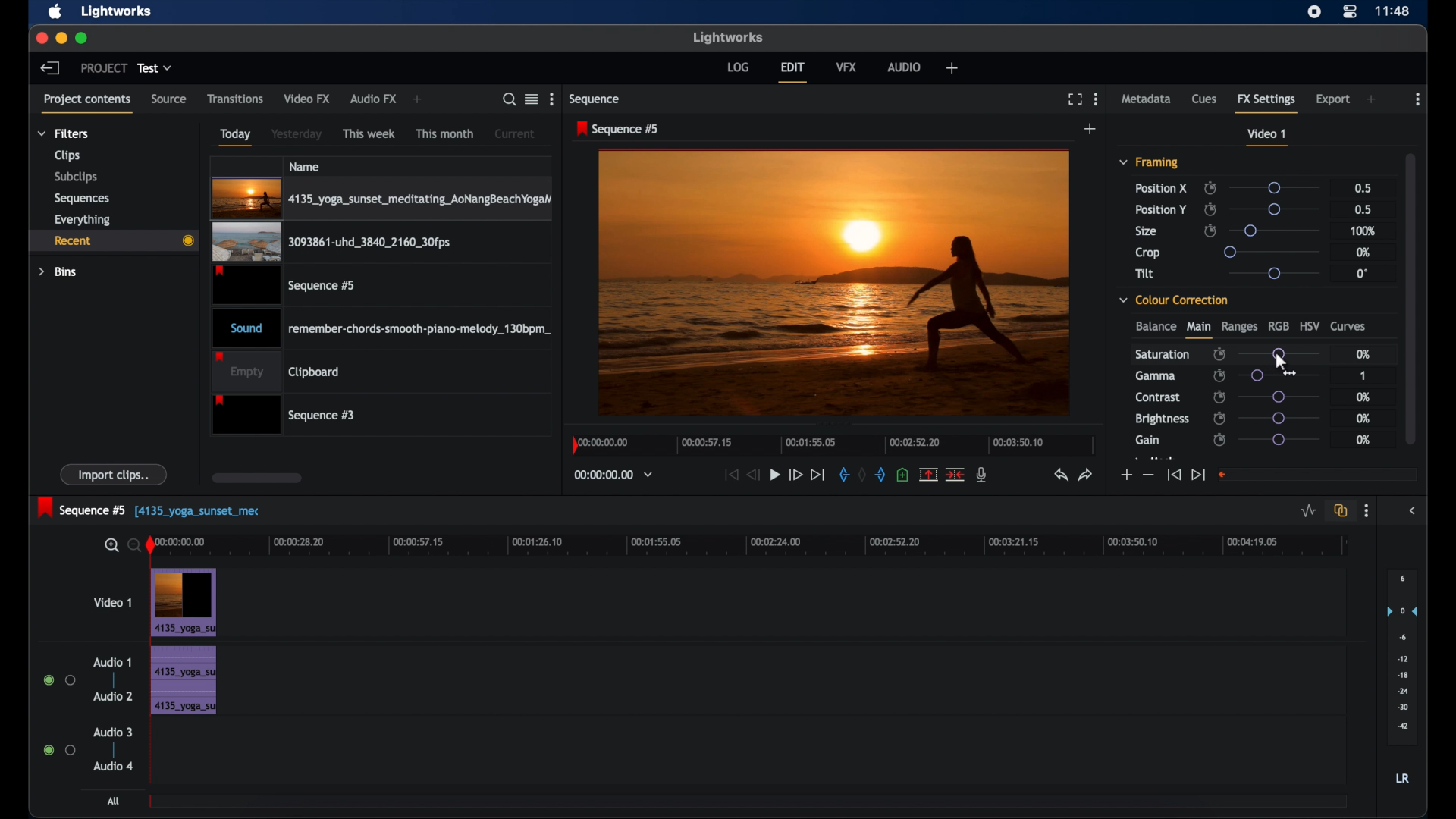 This screenshot has height=819, width=1456. What do you see at coordinates (1364, 419) in the screenshot?
I see `0%` at bounding box center [1364, 419].